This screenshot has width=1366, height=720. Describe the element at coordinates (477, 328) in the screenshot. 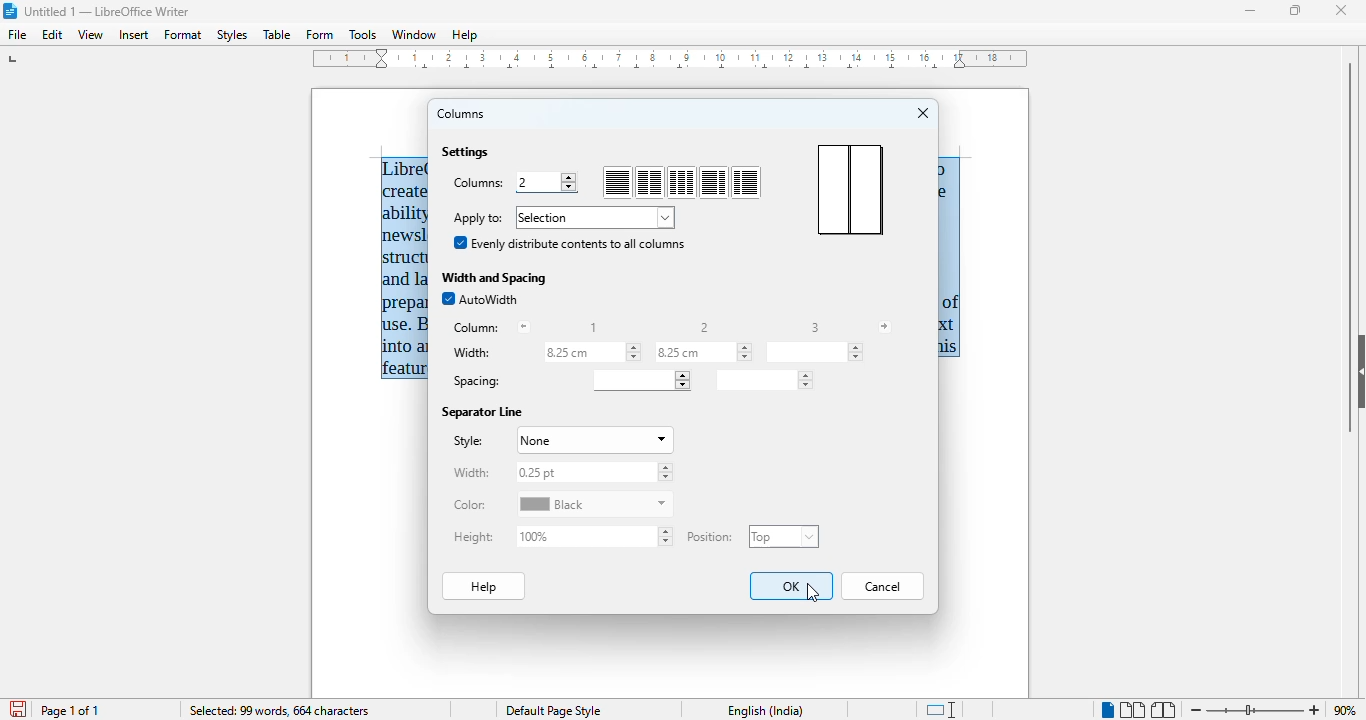

I see `column: ` at that location.